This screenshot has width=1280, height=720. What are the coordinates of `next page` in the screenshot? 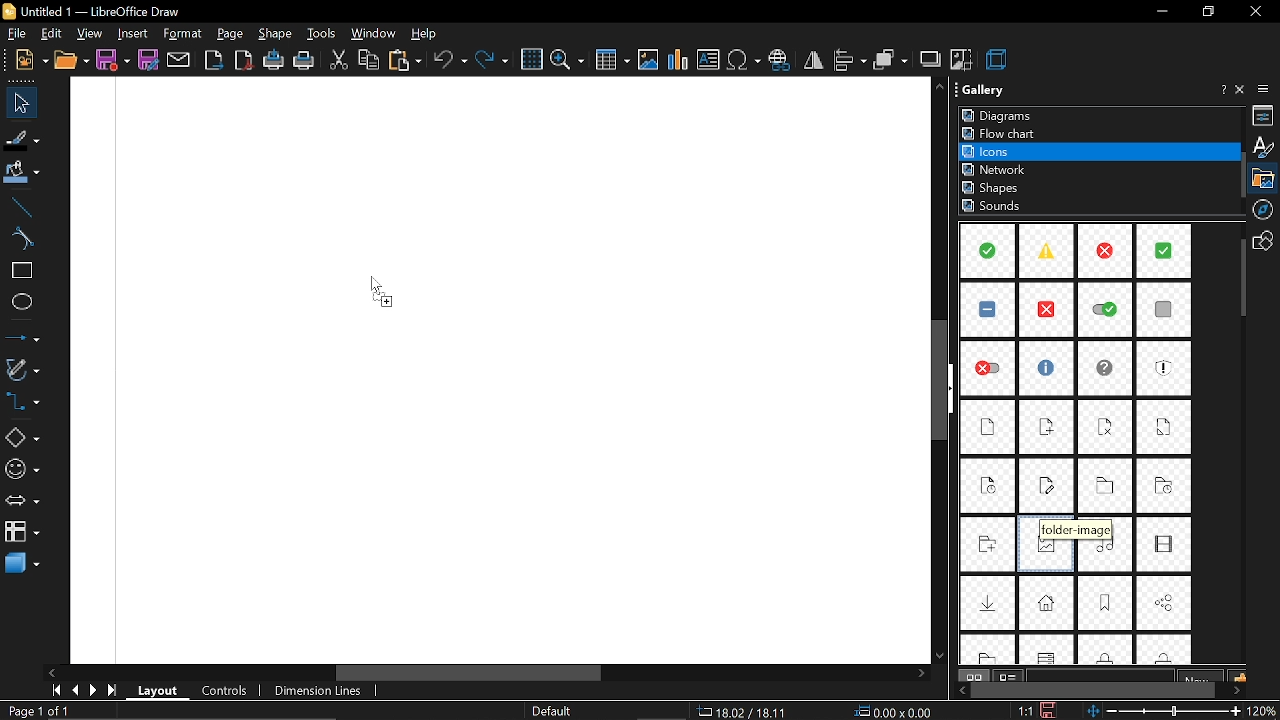 It's located at (93, 691).